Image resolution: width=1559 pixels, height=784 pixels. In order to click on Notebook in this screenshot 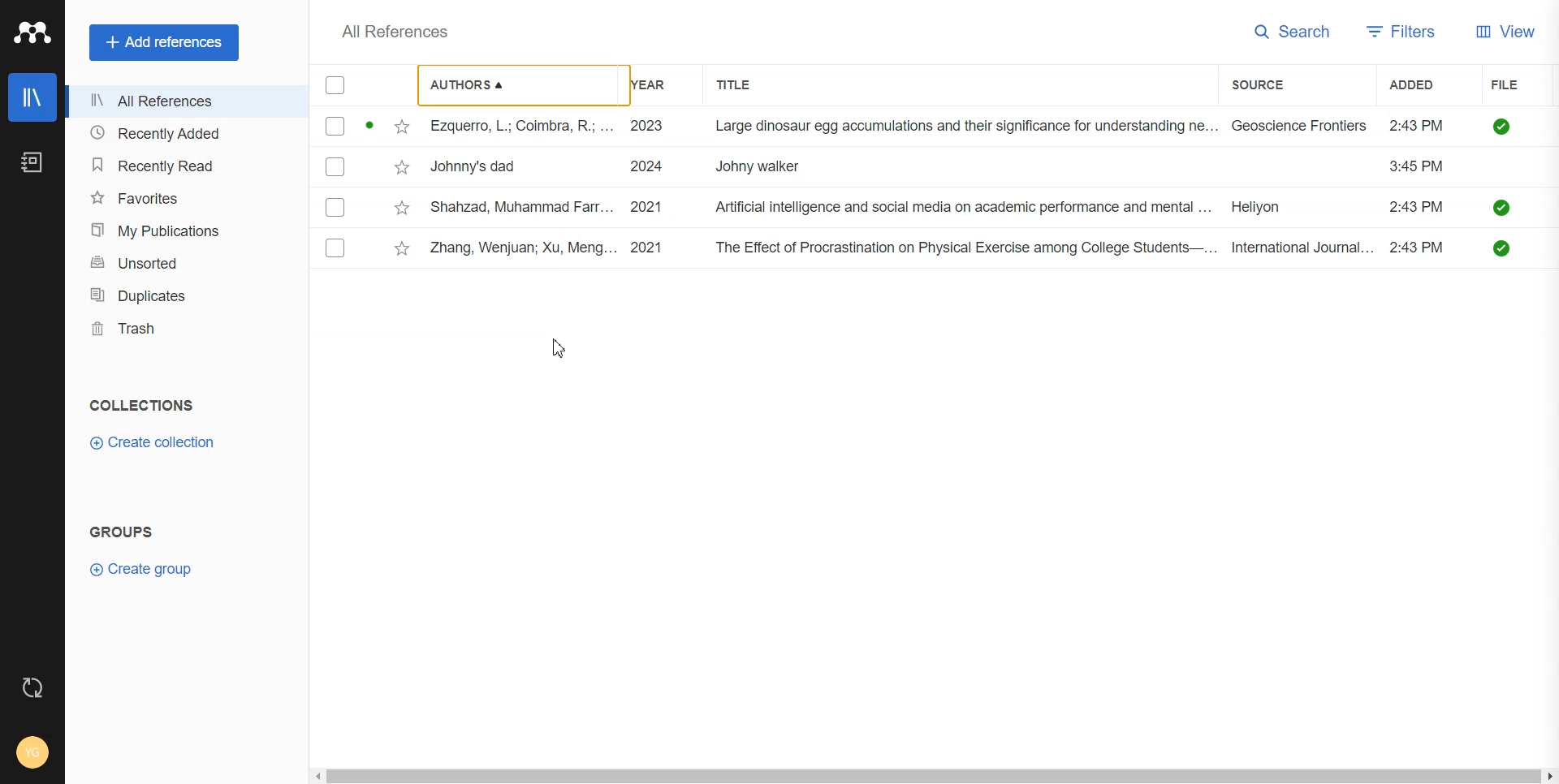, I will do `click(32, 161)`.